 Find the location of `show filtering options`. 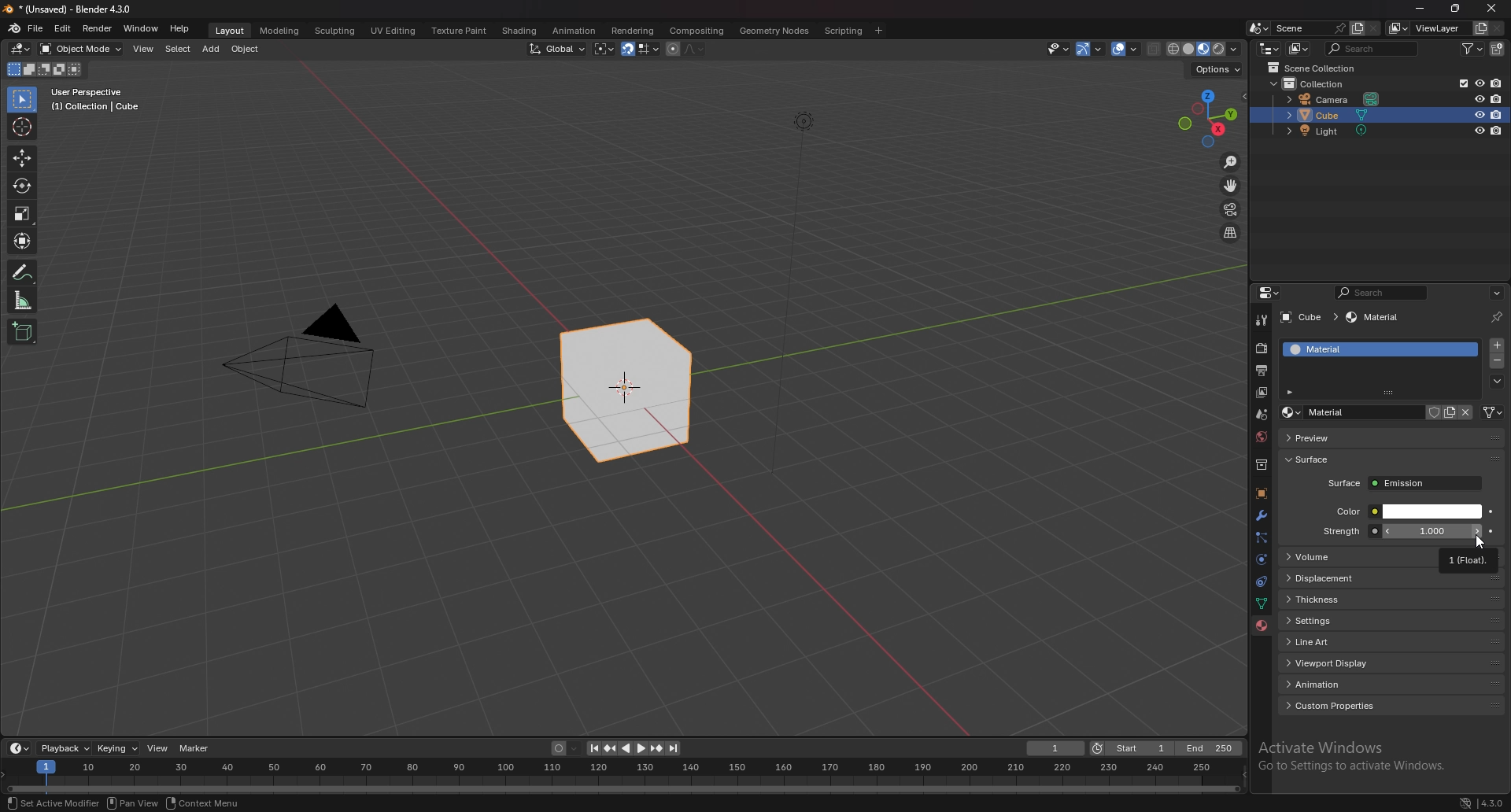

show filtering options is located at coordinates (1291, 391).